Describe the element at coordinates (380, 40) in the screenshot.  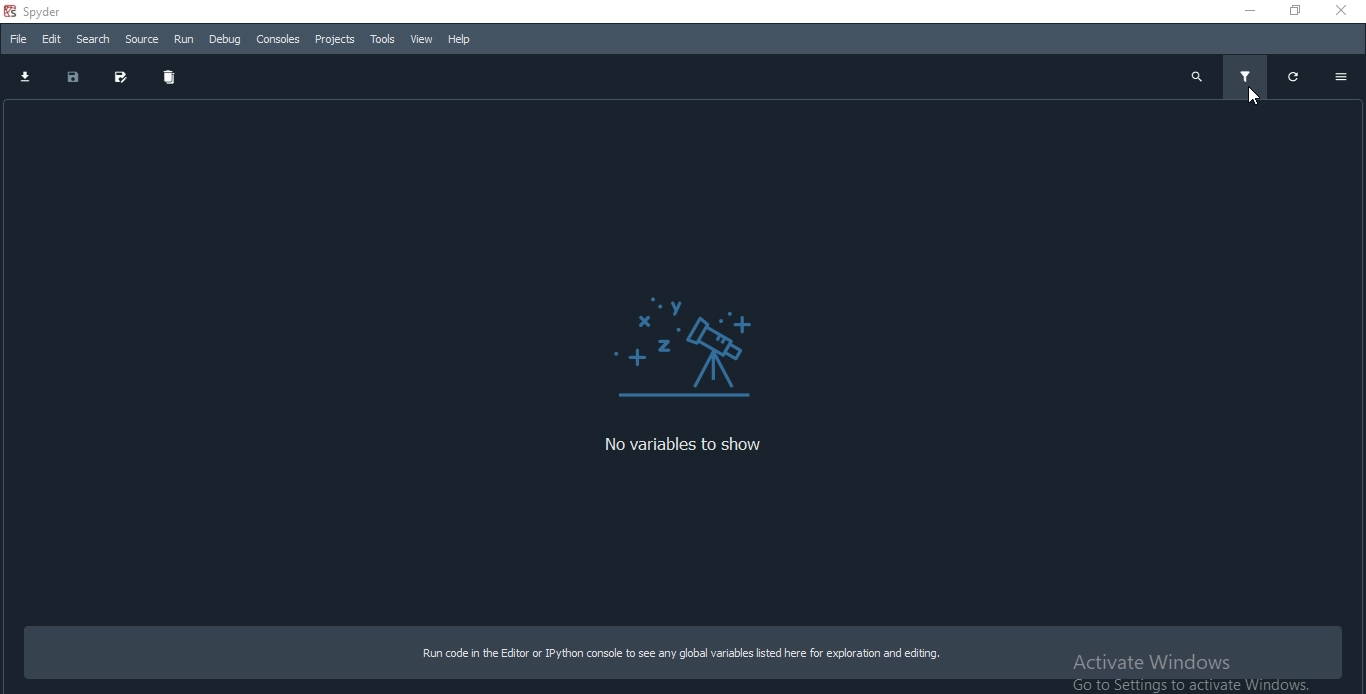
I see `Tools` at that location.